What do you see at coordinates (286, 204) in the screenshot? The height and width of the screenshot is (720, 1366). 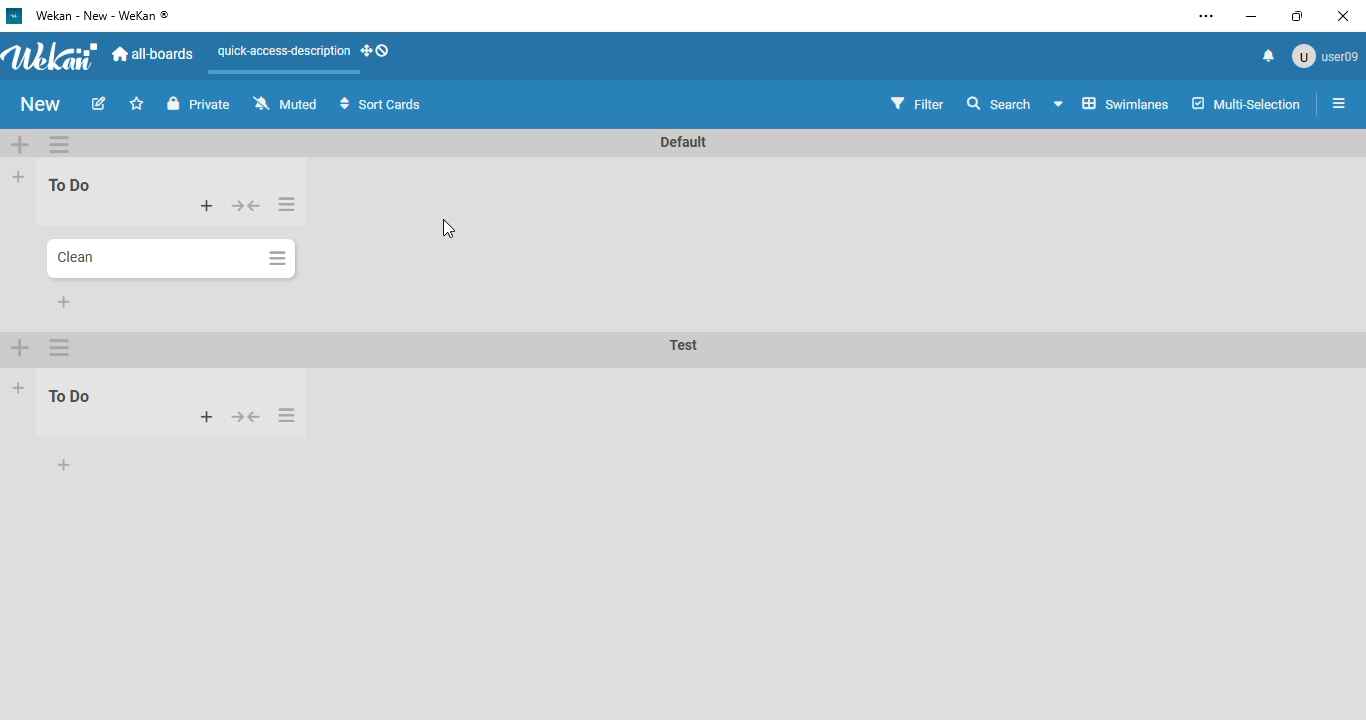 I see `list actions` at bounding box center [286, 204].